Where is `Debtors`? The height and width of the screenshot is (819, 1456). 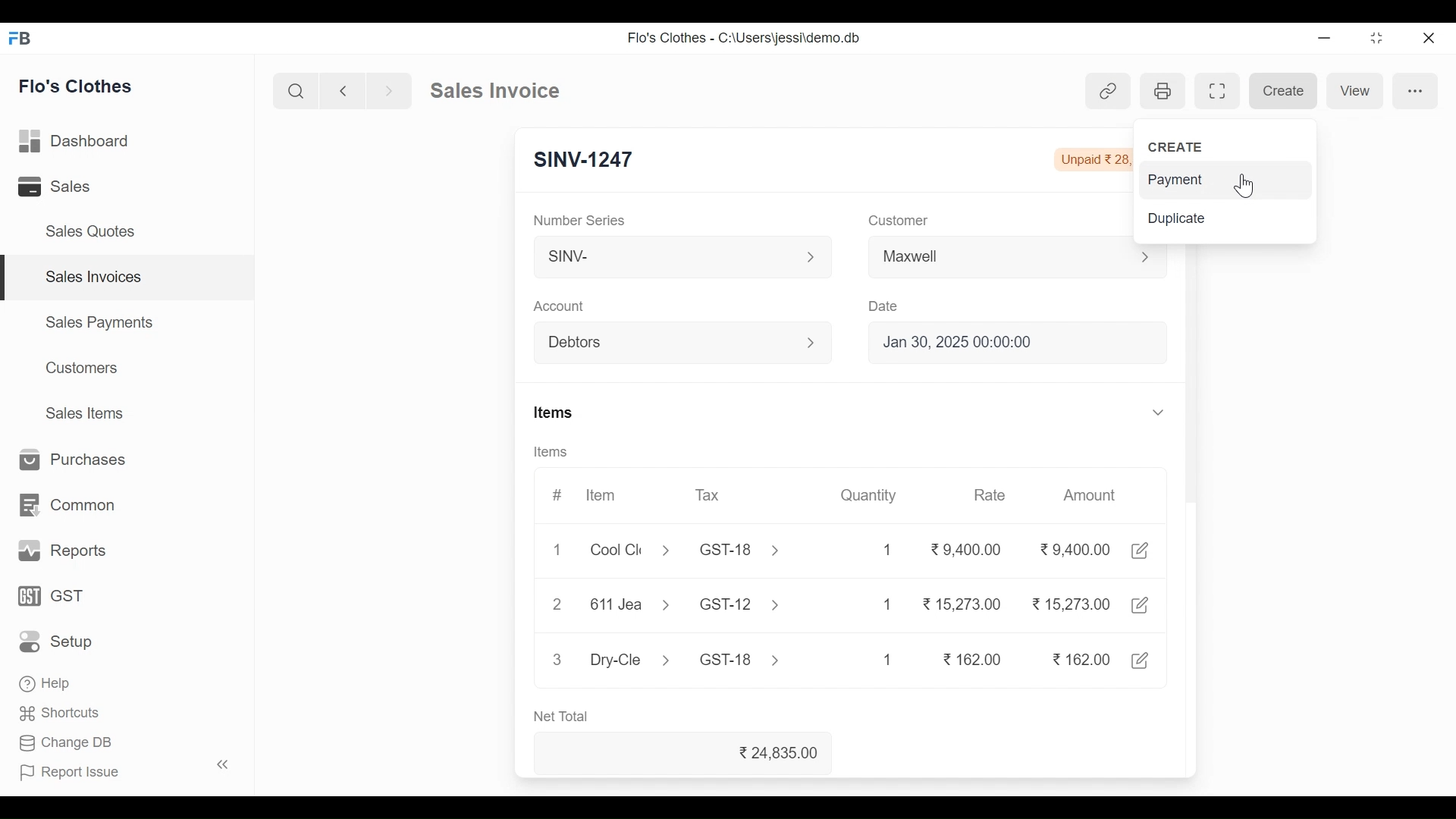 Debtors is located at coordinates (670, 344).